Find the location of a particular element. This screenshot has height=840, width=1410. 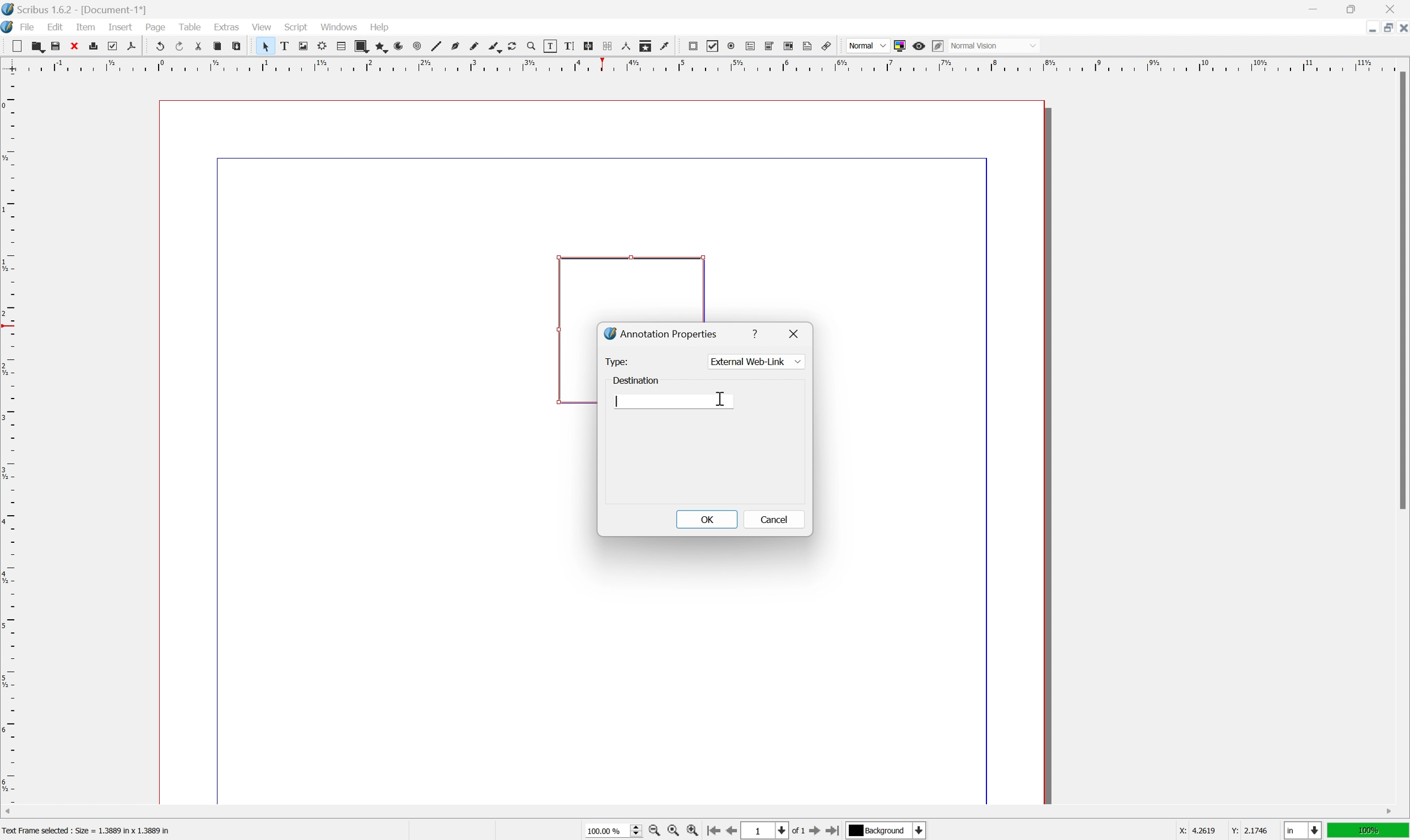

close is located at coordinates (796, 332).